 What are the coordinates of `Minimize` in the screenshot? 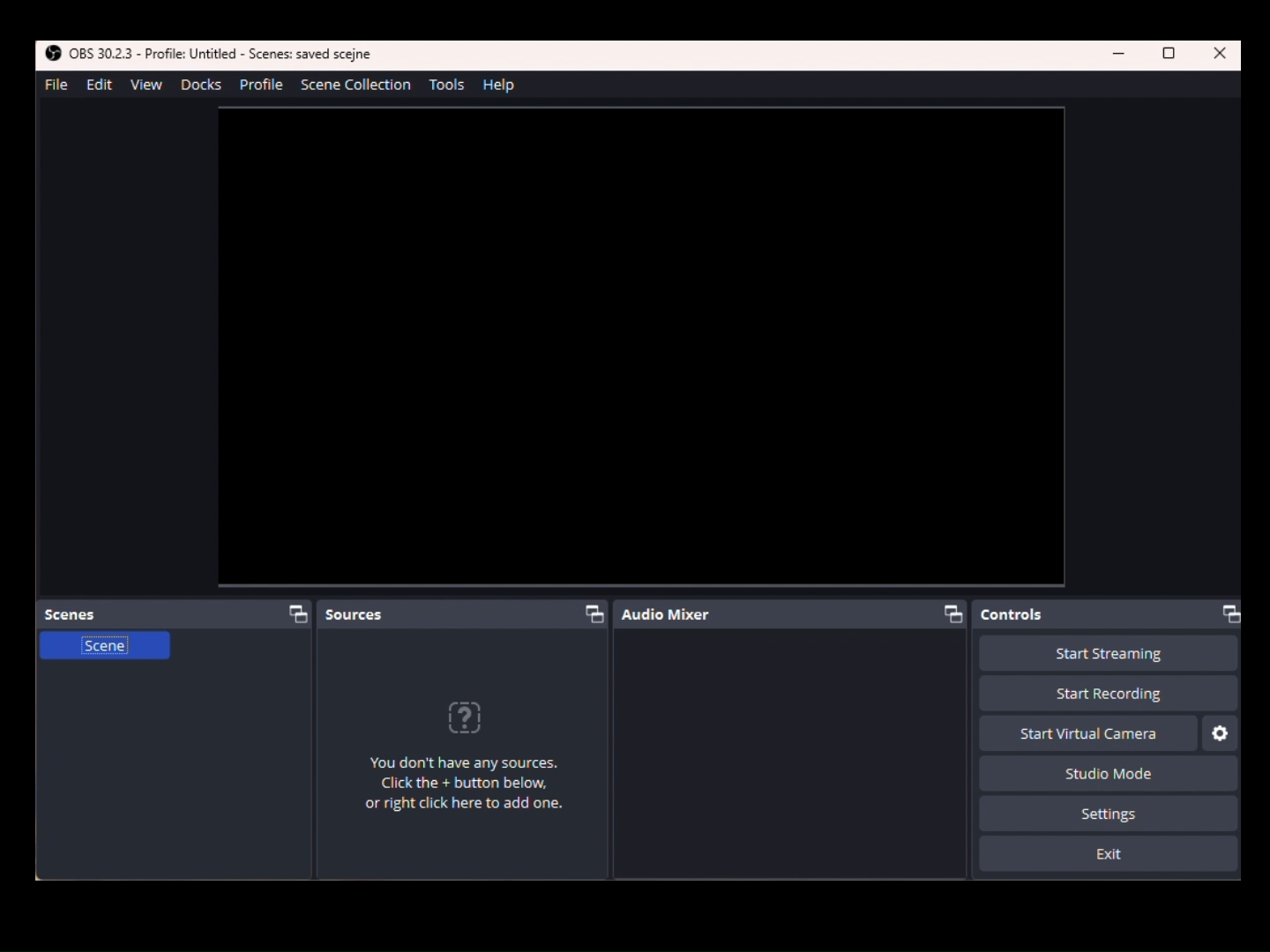 It's located at (1122, 55).